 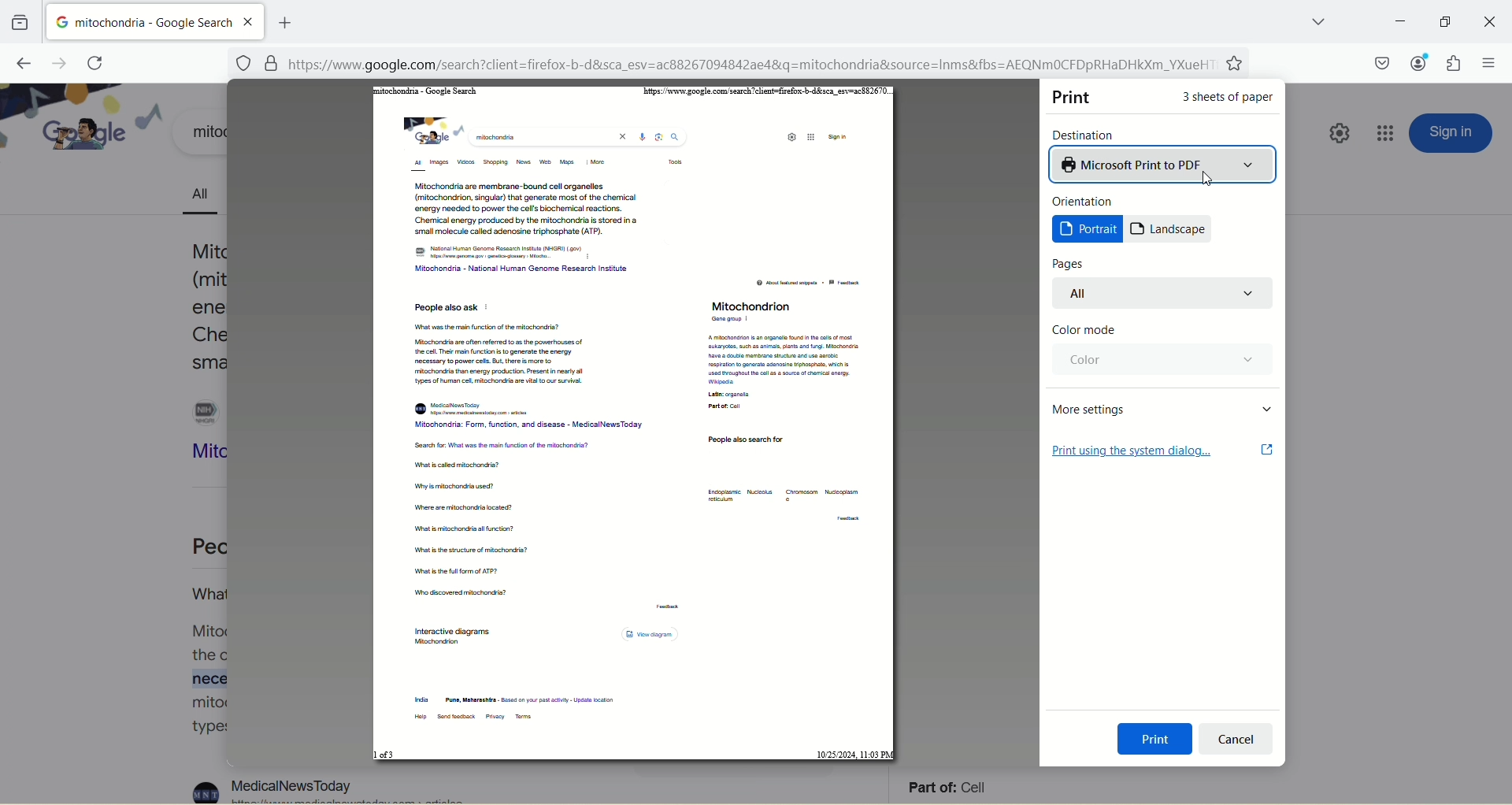 I want to click on sign in, so click(x=1452, y=133).